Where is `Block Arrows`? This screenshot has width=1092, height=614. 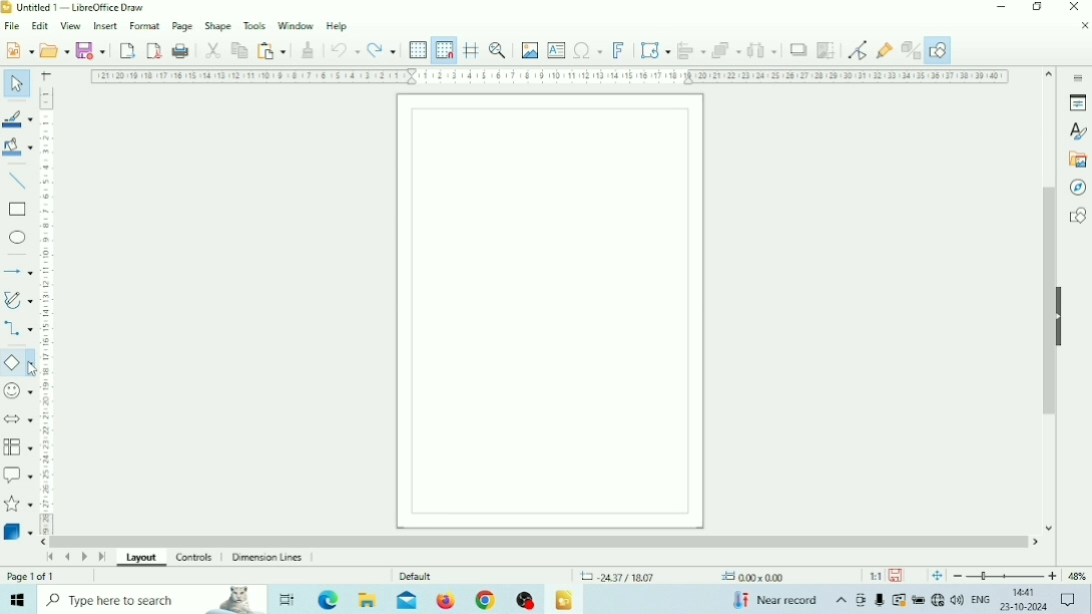
Block Arrows is located at coordinates (18, 418).